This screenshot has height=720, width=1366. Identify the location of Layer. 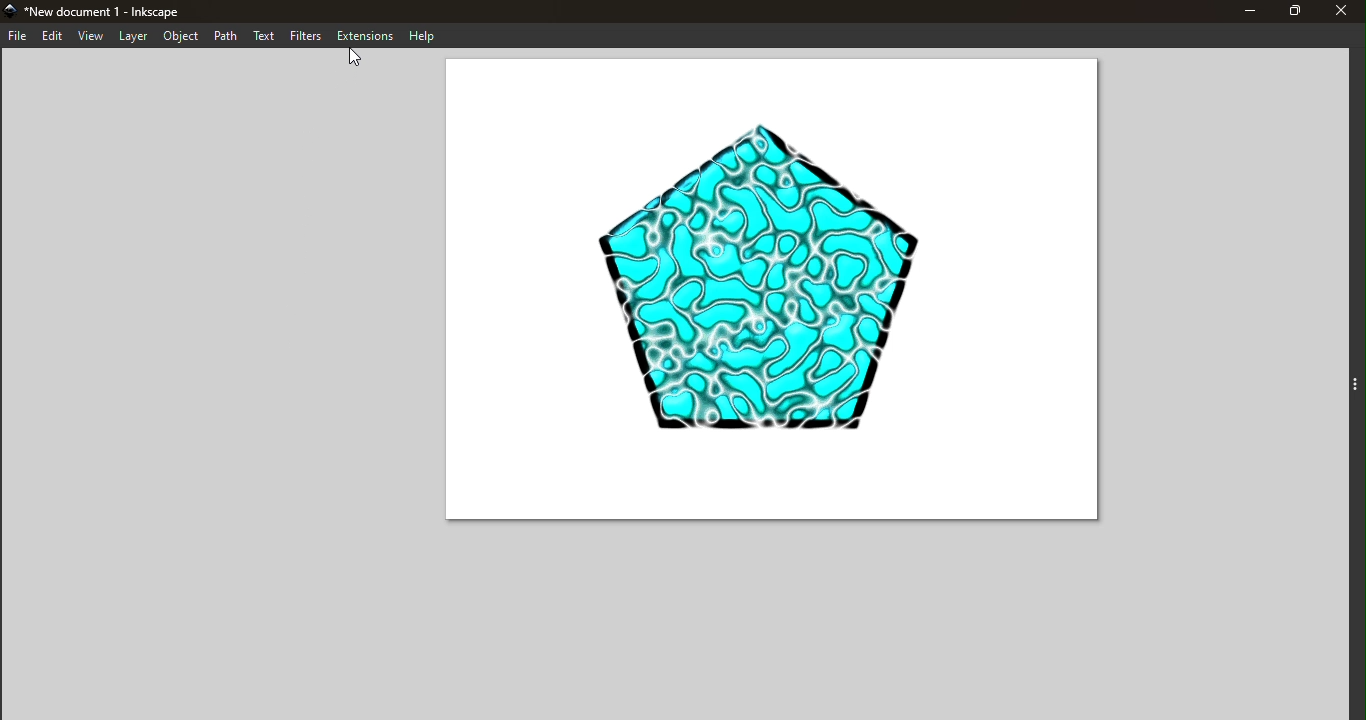
(134, 36).